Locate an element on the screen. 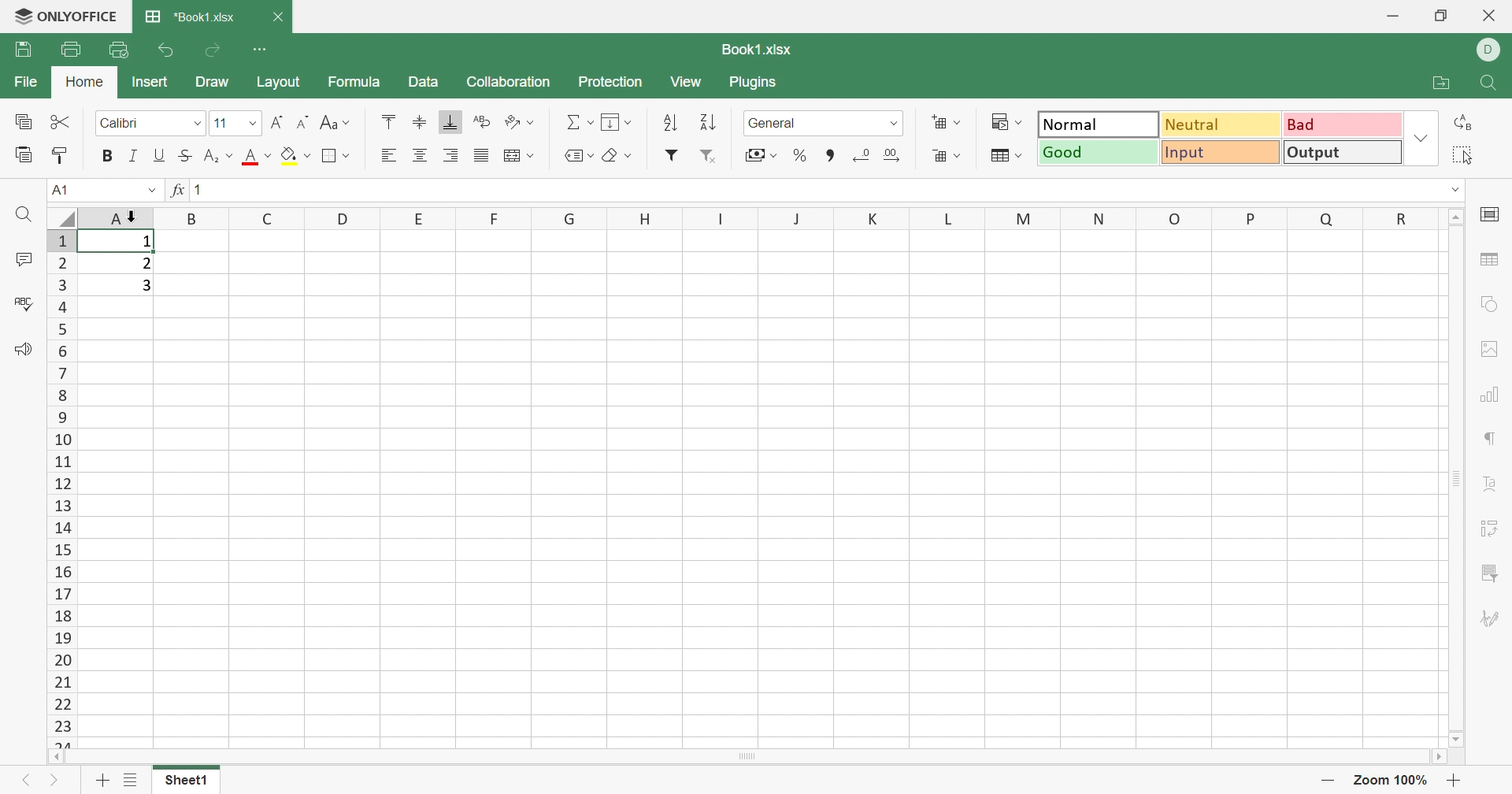 This screenshot has height=794, width=1512. Find is located at coordinates (1491, 84).